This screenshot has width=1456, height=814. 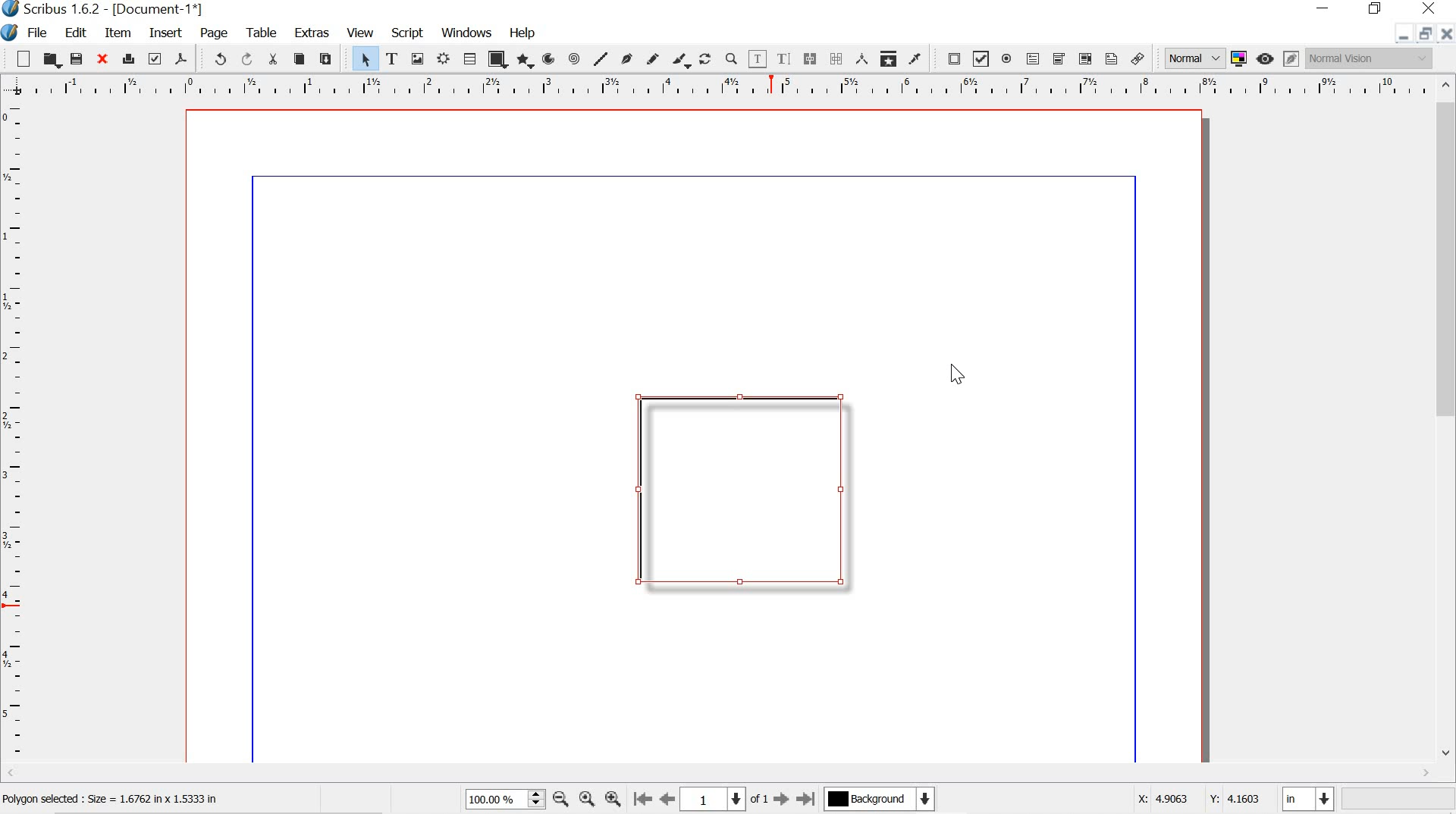 I want to click on EDIT IN PREVIEW MODE, so click(x=1291, y=58).